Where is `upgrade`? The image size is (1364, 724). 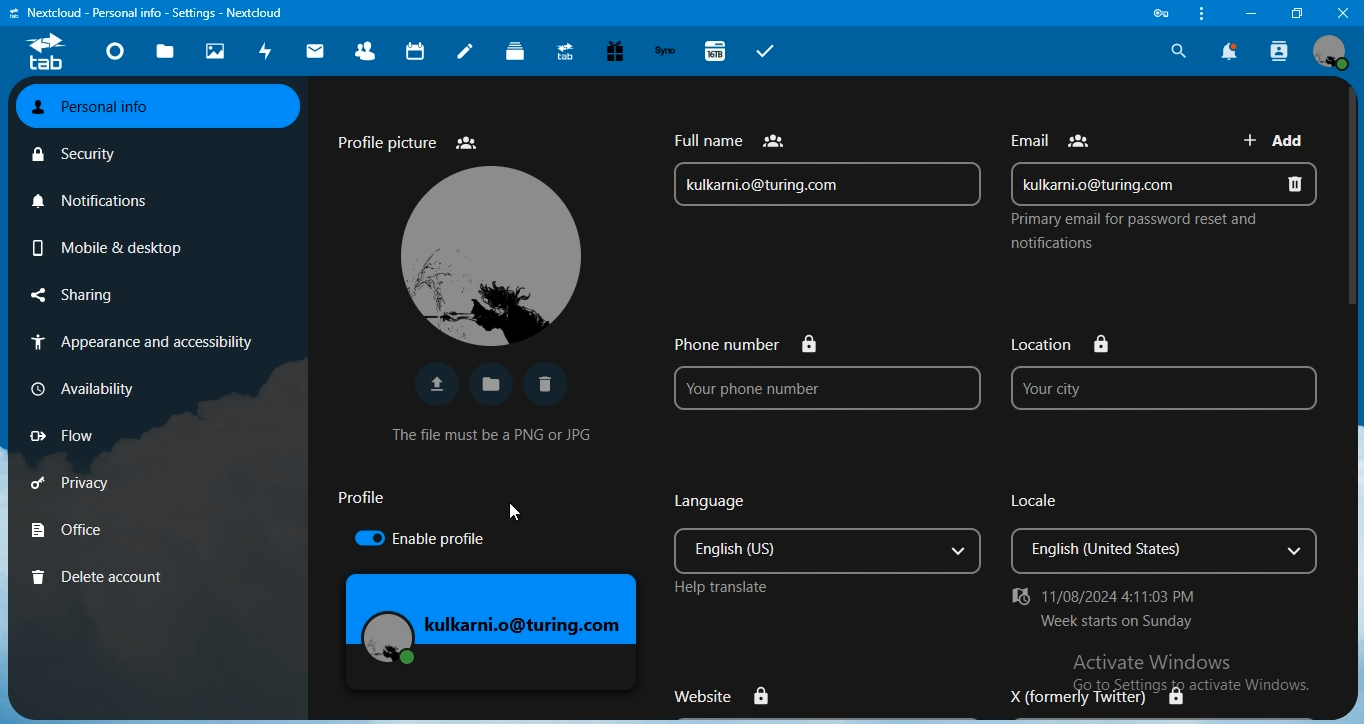
upgrade is located at coordinates (566, 52).